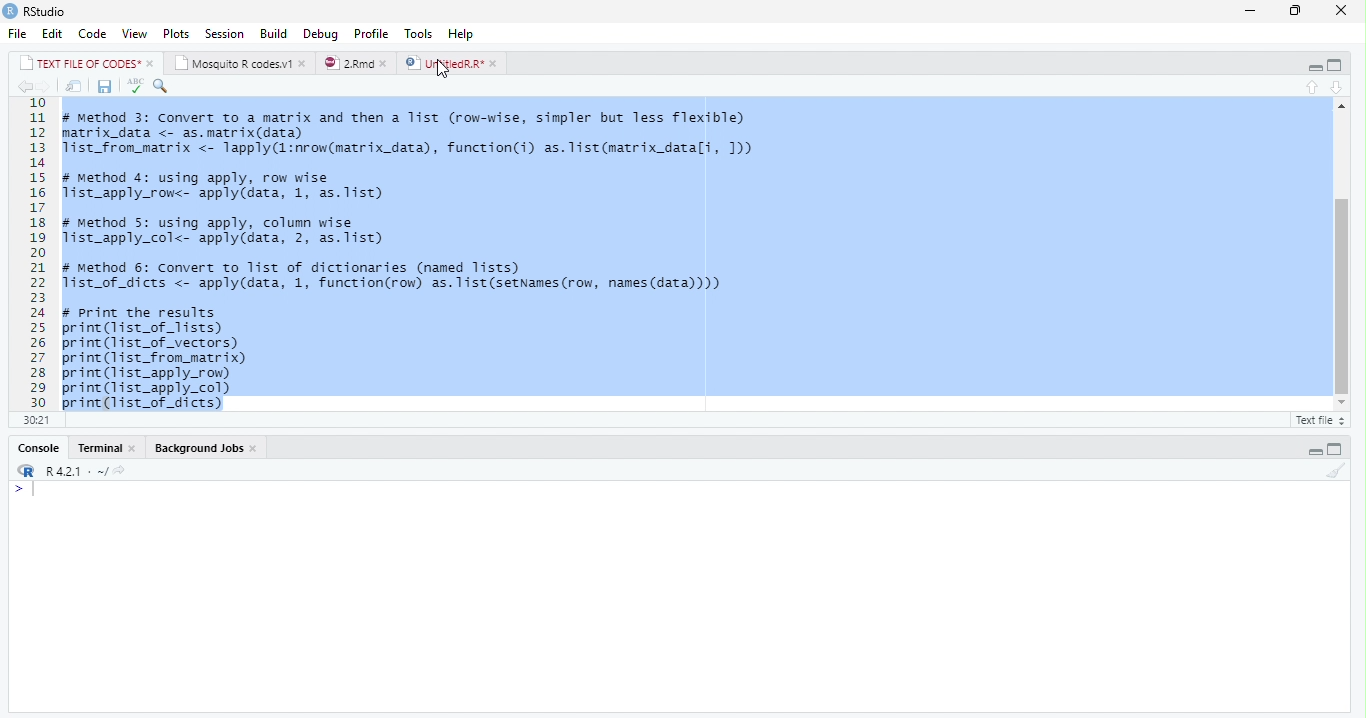  What do you see at coordinates (162, 88) in the screenshot?
I see `Find/Replace` at bounding box center [162, 88].